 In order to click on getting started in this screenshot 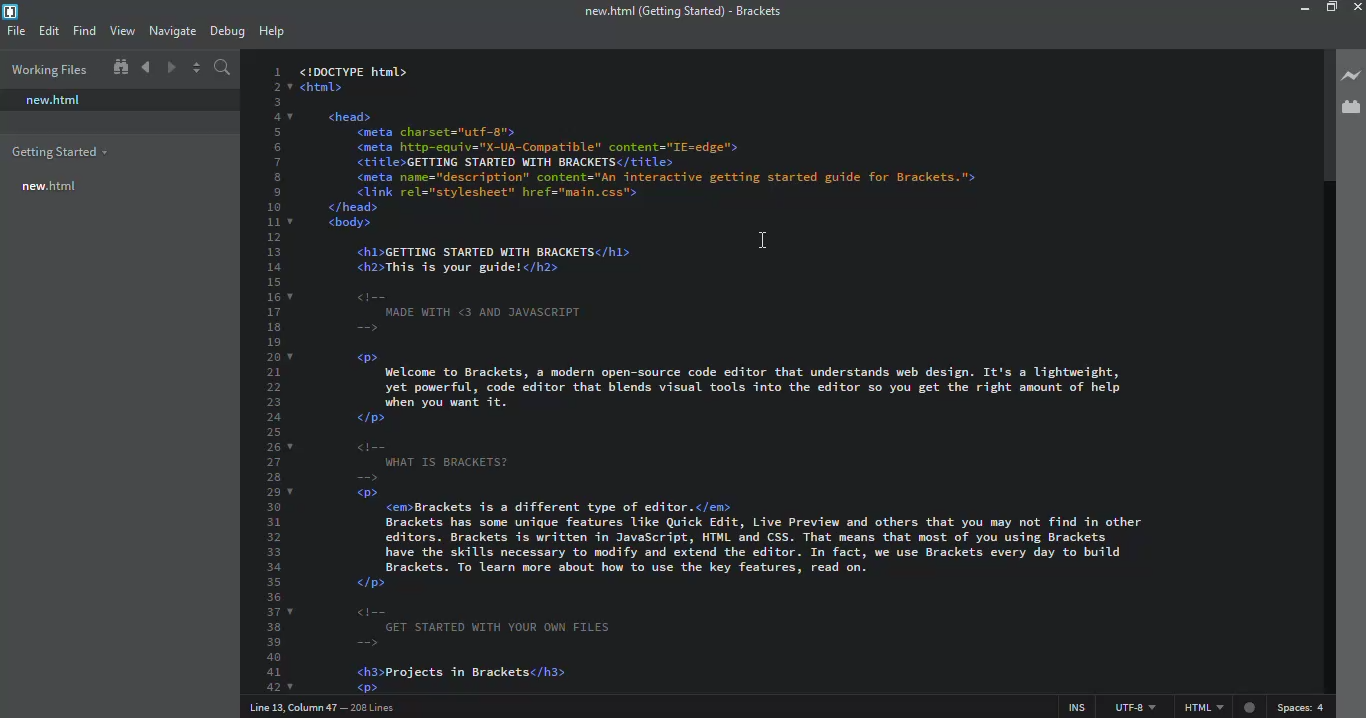, I will do `click(60, 152)`.